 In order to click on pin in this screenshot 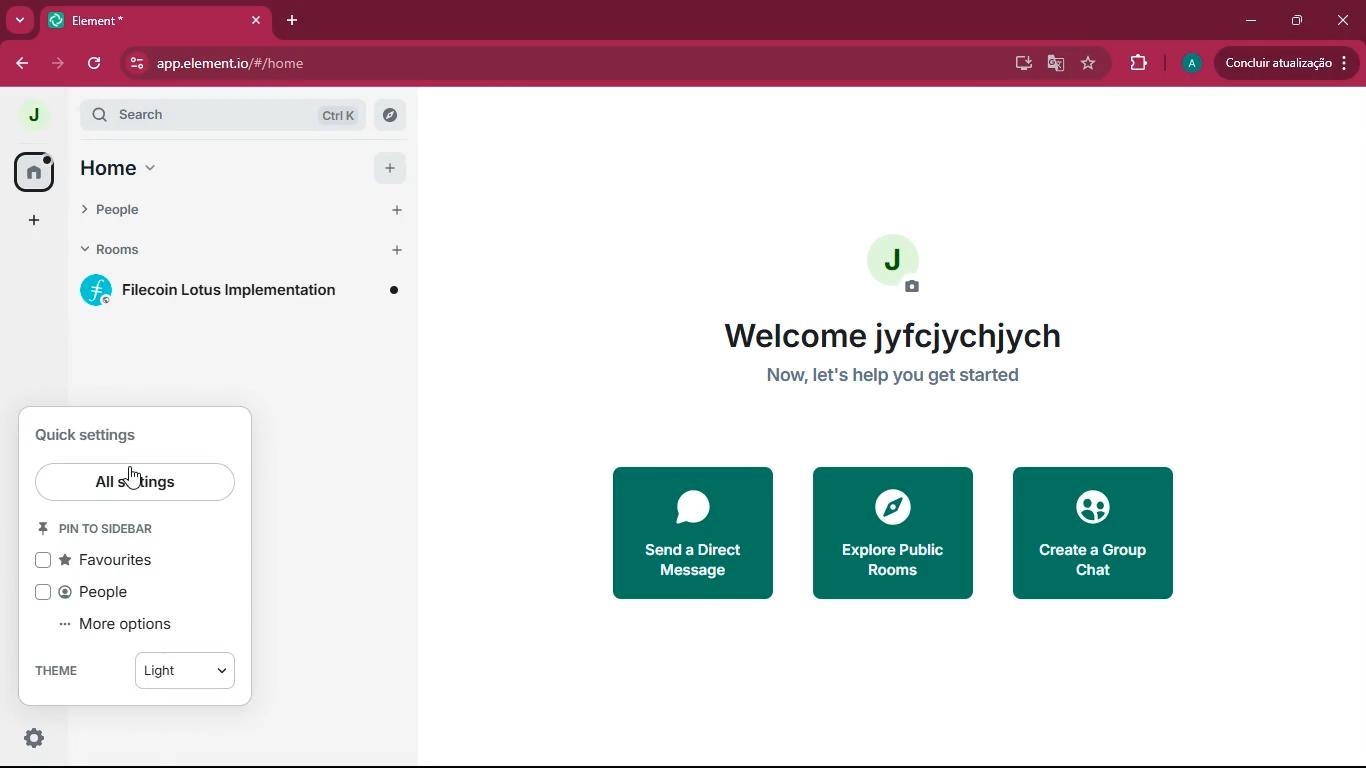, I will do `click(102, 527)`.